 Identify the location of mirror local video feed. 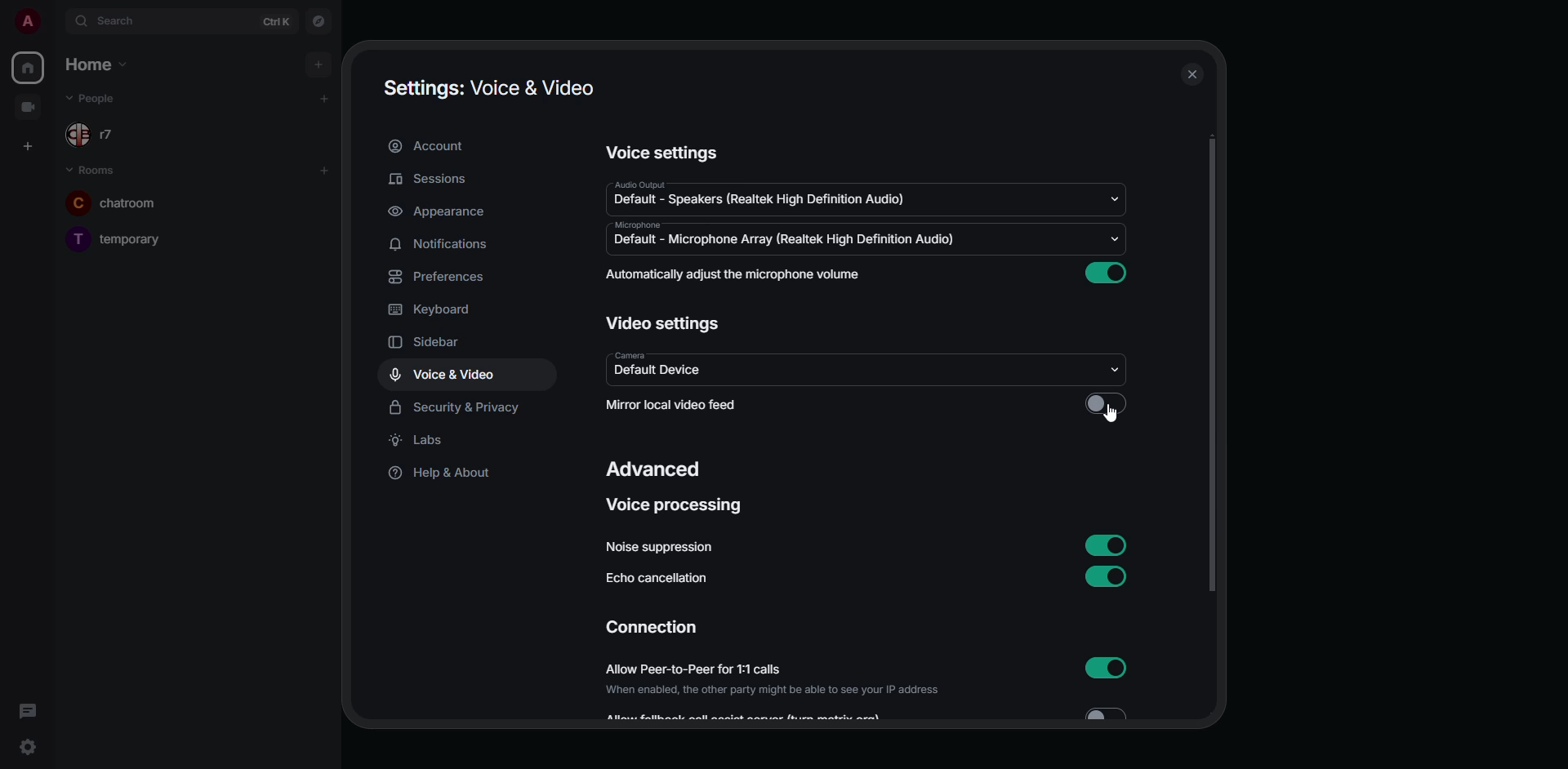
(675, 405).